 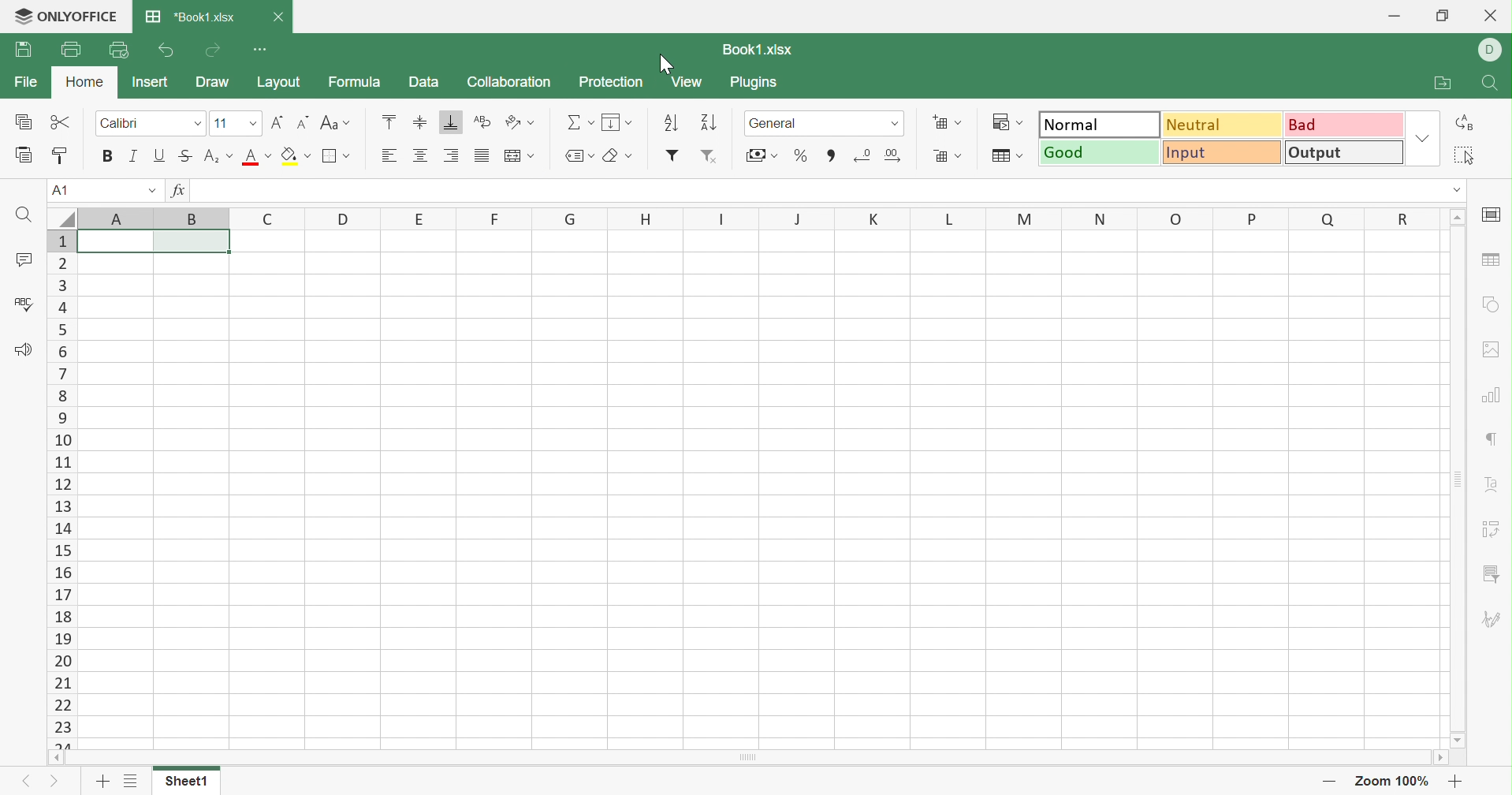 I want to click on Insert cells, so click(x=947, y=124).